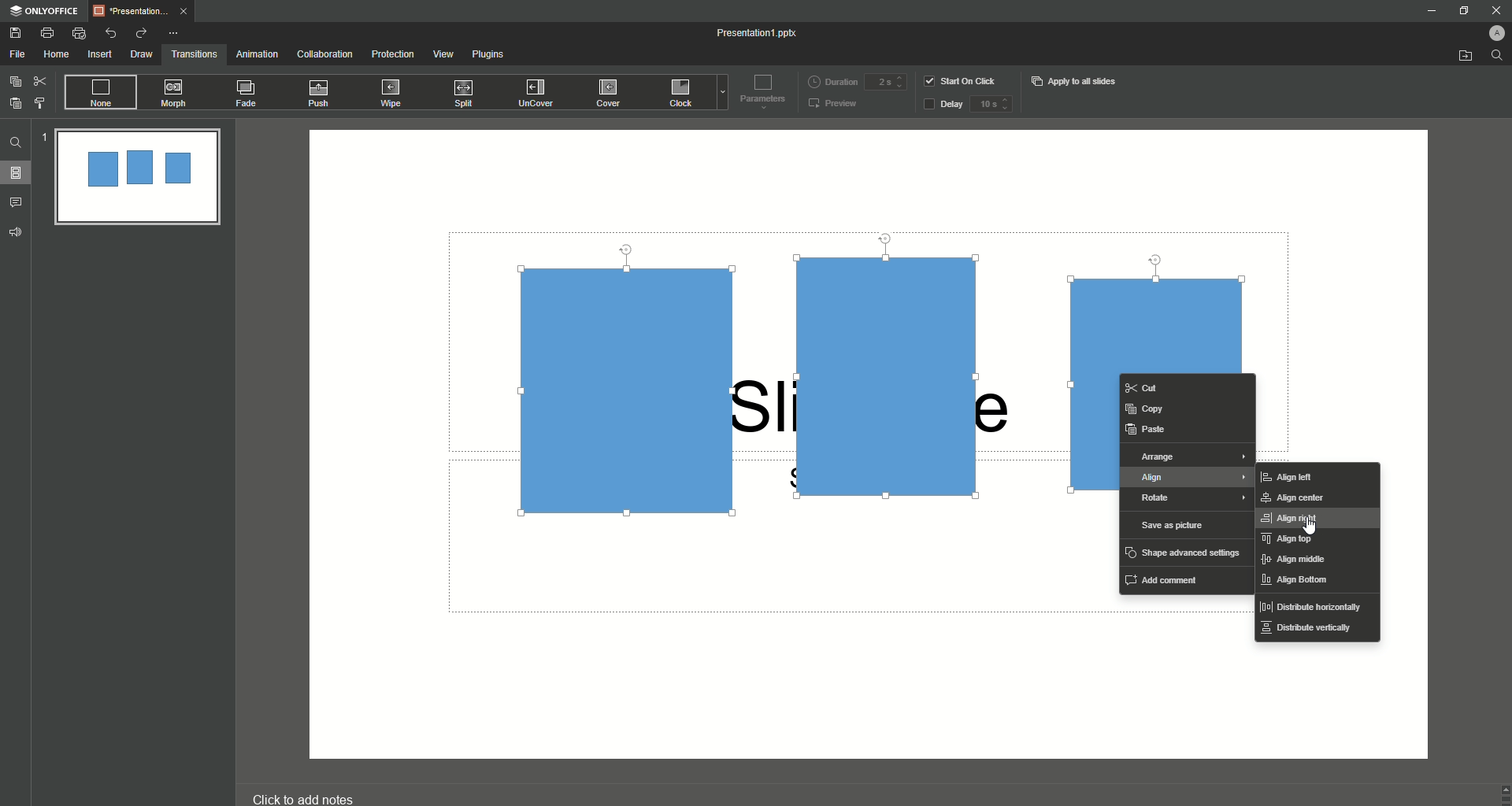 This screenshot has height=806, width=1512. Describe the element at coordinates (1166, 579) in the screenshot. I see `Add comment` at that location.